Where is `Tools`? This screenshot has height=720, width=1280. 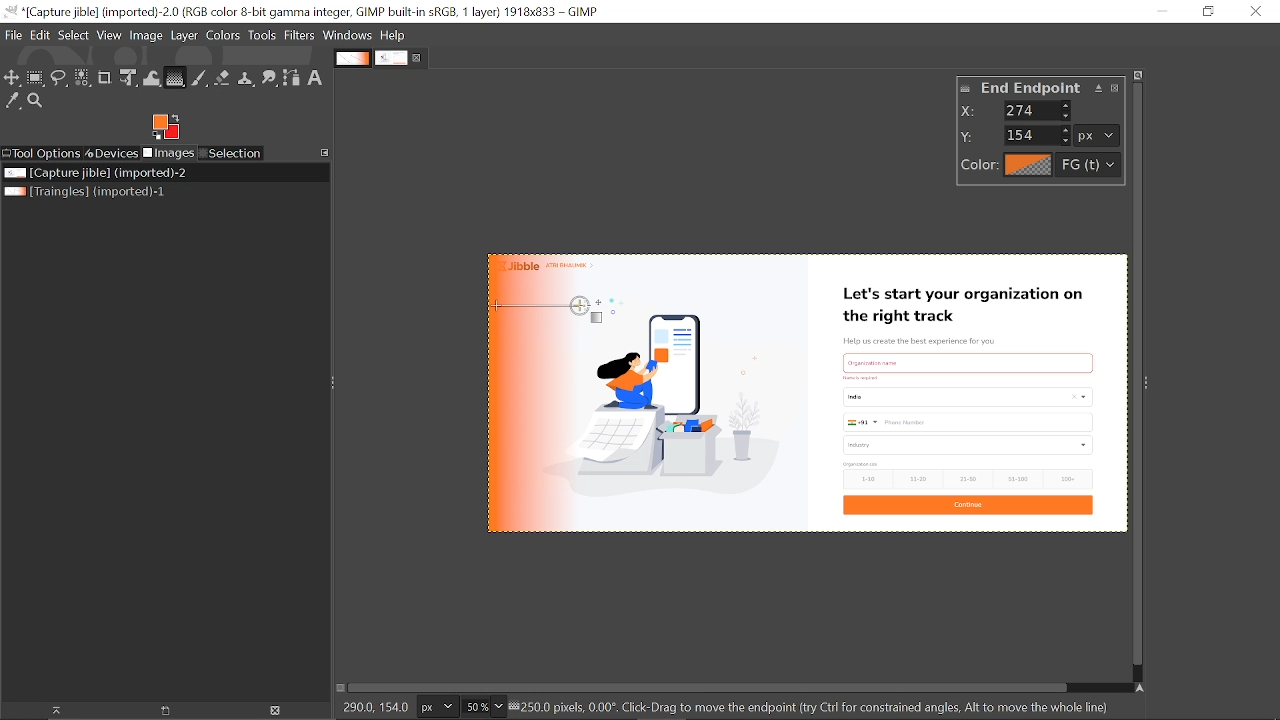 Tools is located at coordinates (264, 35).